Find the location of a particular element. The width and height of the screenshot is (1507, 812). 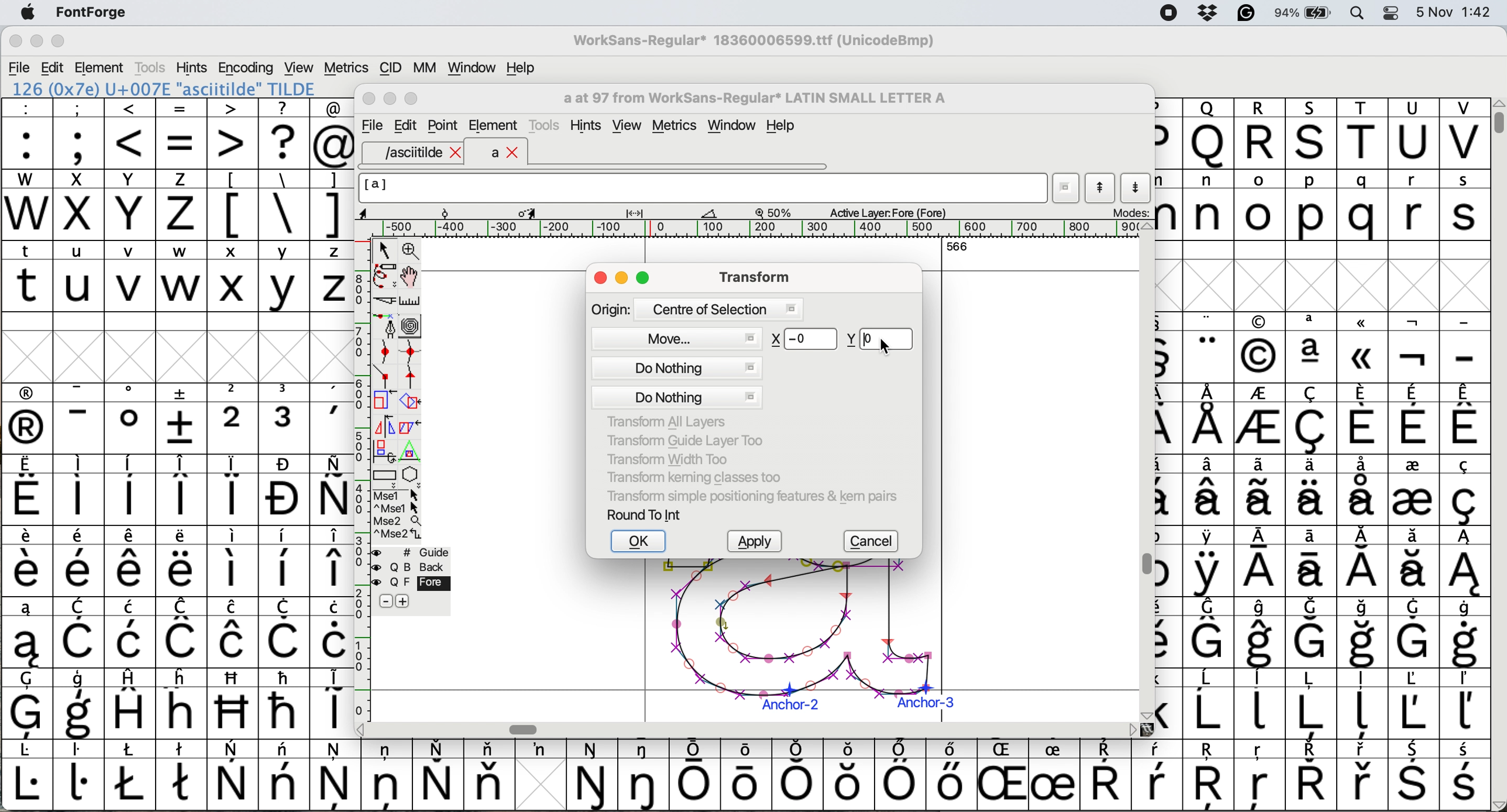

symbol is located at coordinates (80, 562).